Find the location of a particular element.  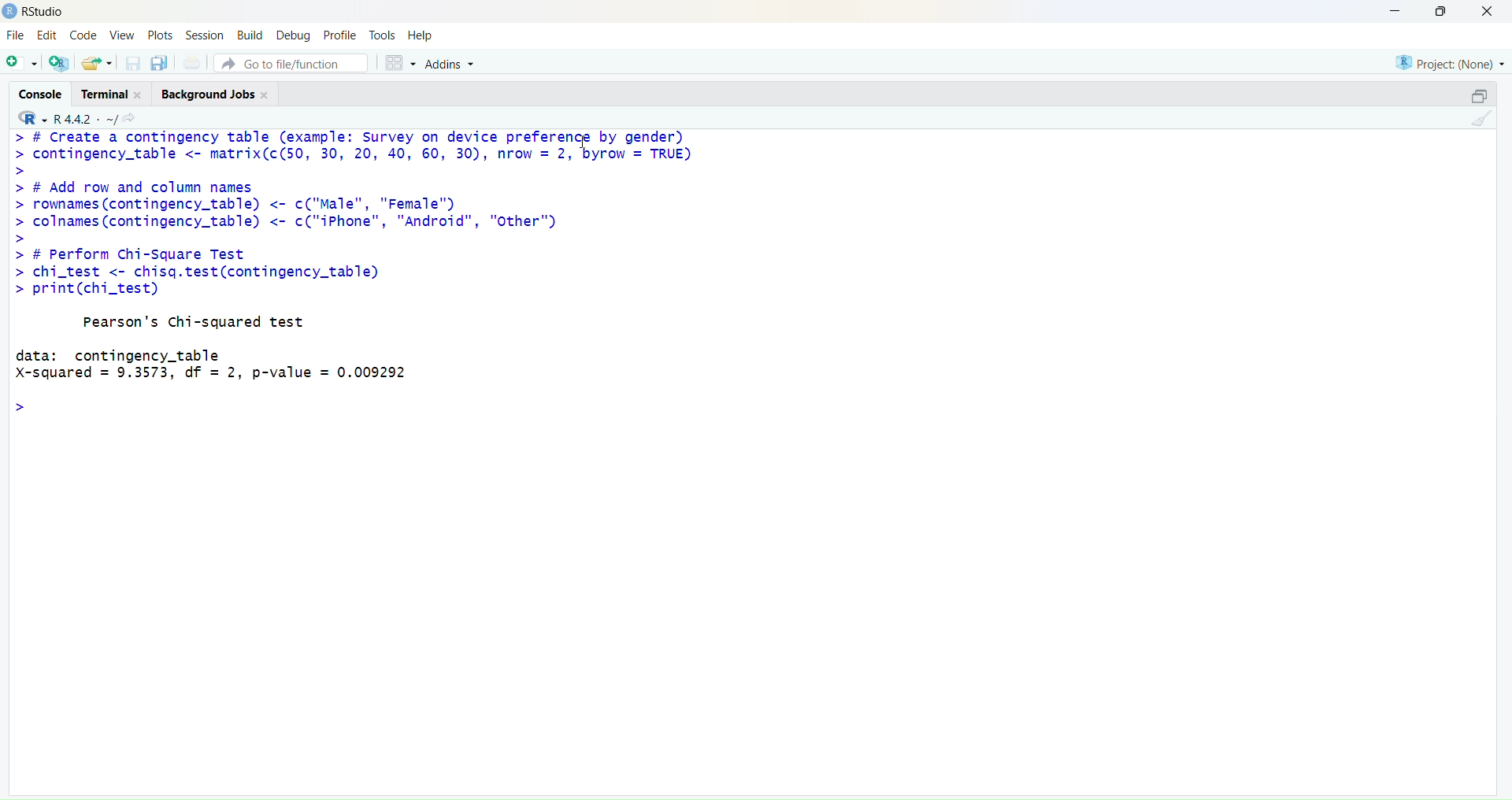

cursor is located at coordinates (584, 142).